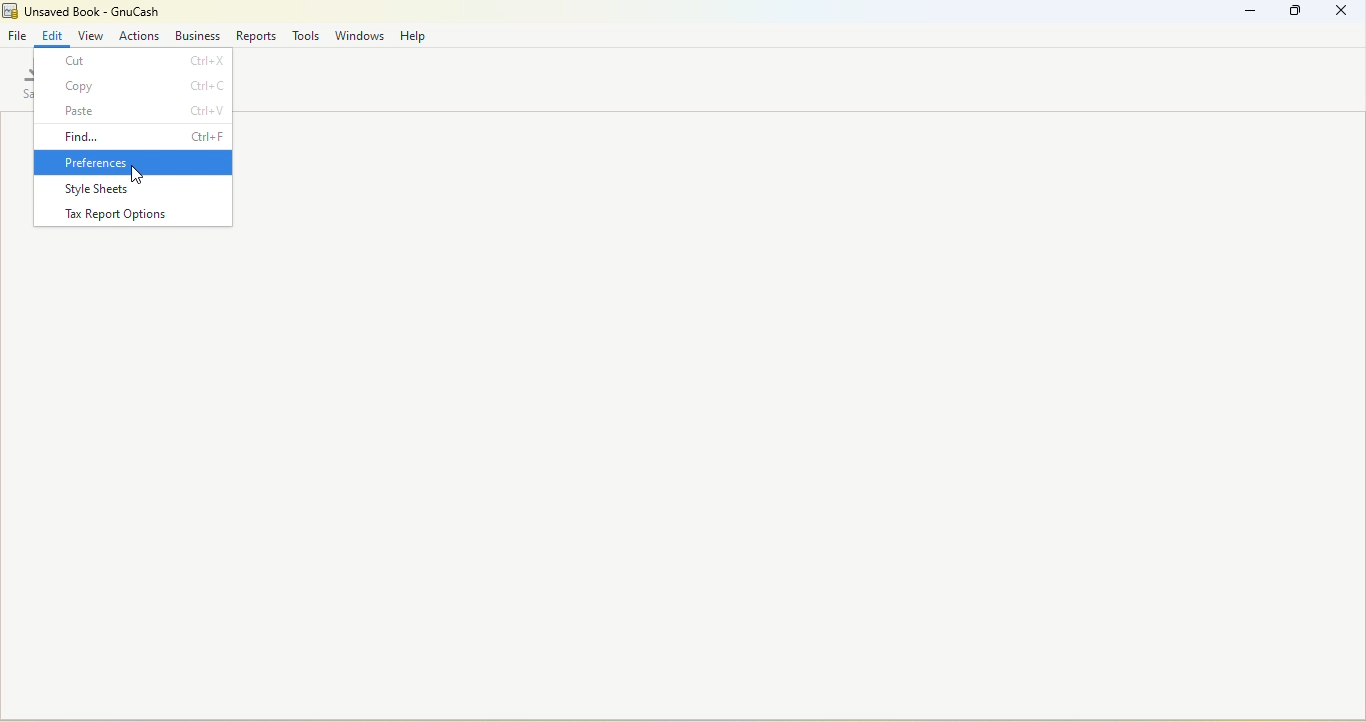  Describe the element at coordinates (359, 35) in the screenshot. I see `Windows` at that location.